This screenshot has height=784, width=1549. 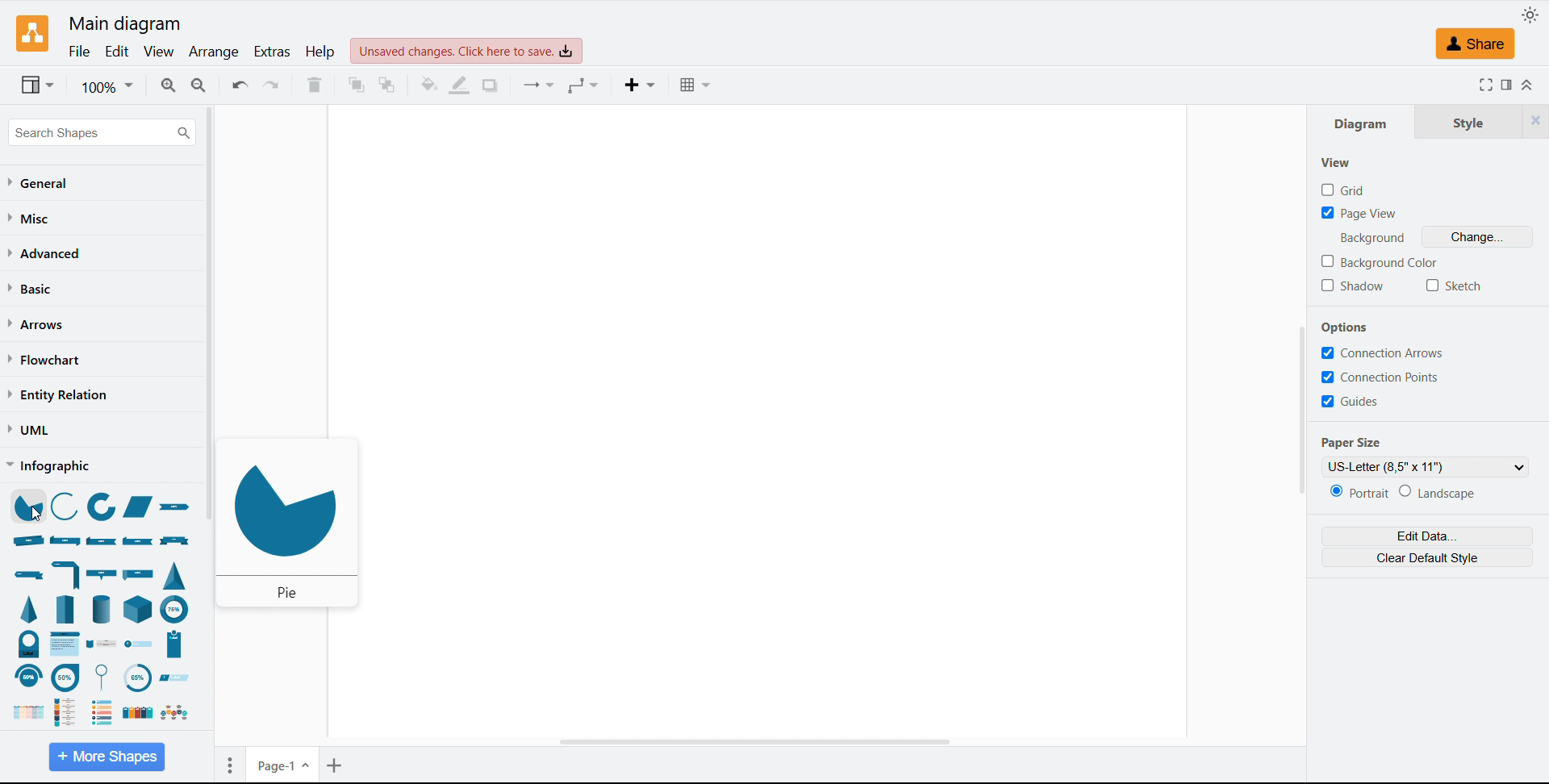 I want to click on partial concentric ellipse, so click(x=175, y=609).